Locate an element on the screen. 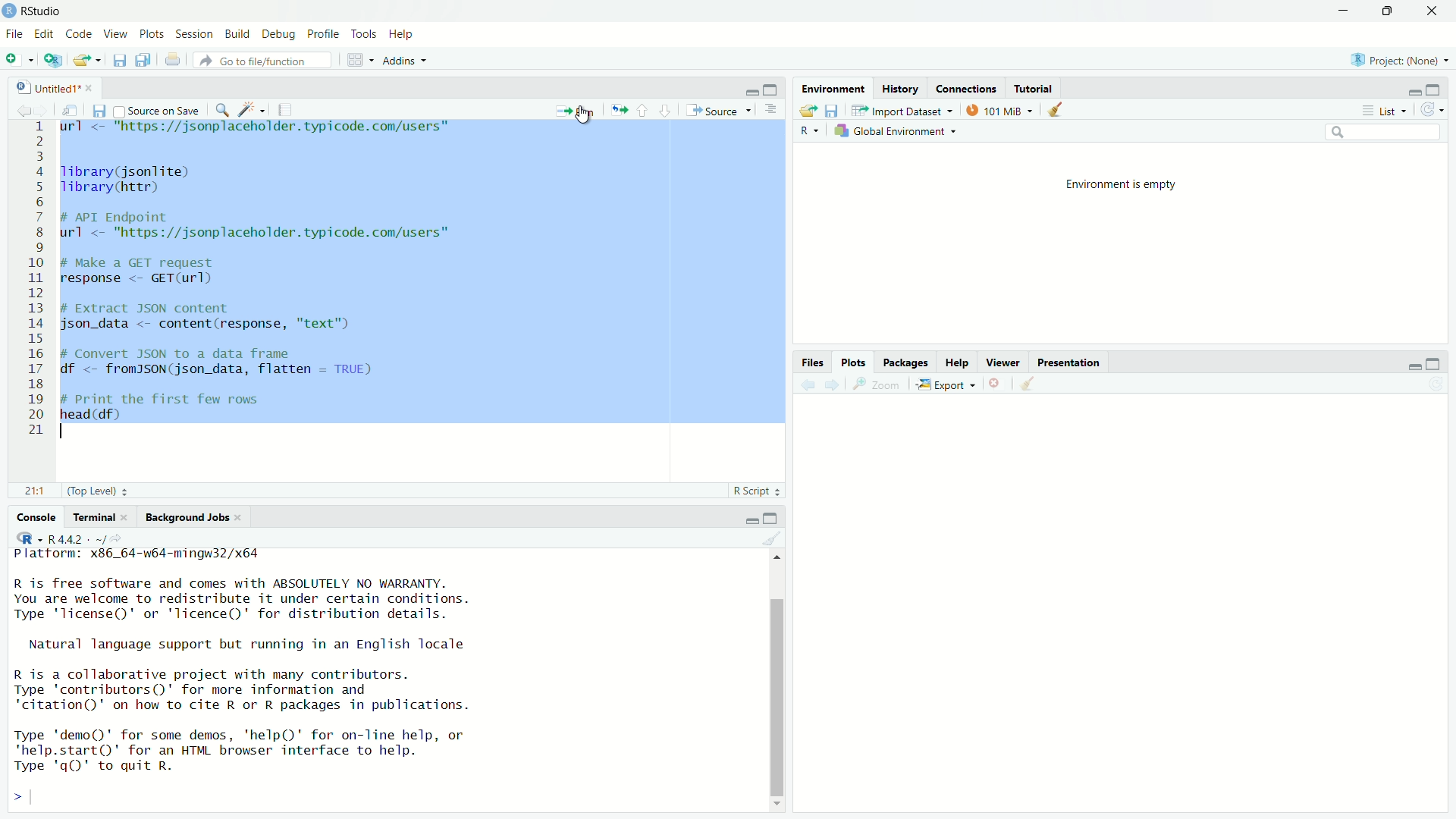  New file is located at coordinates (20, 59).